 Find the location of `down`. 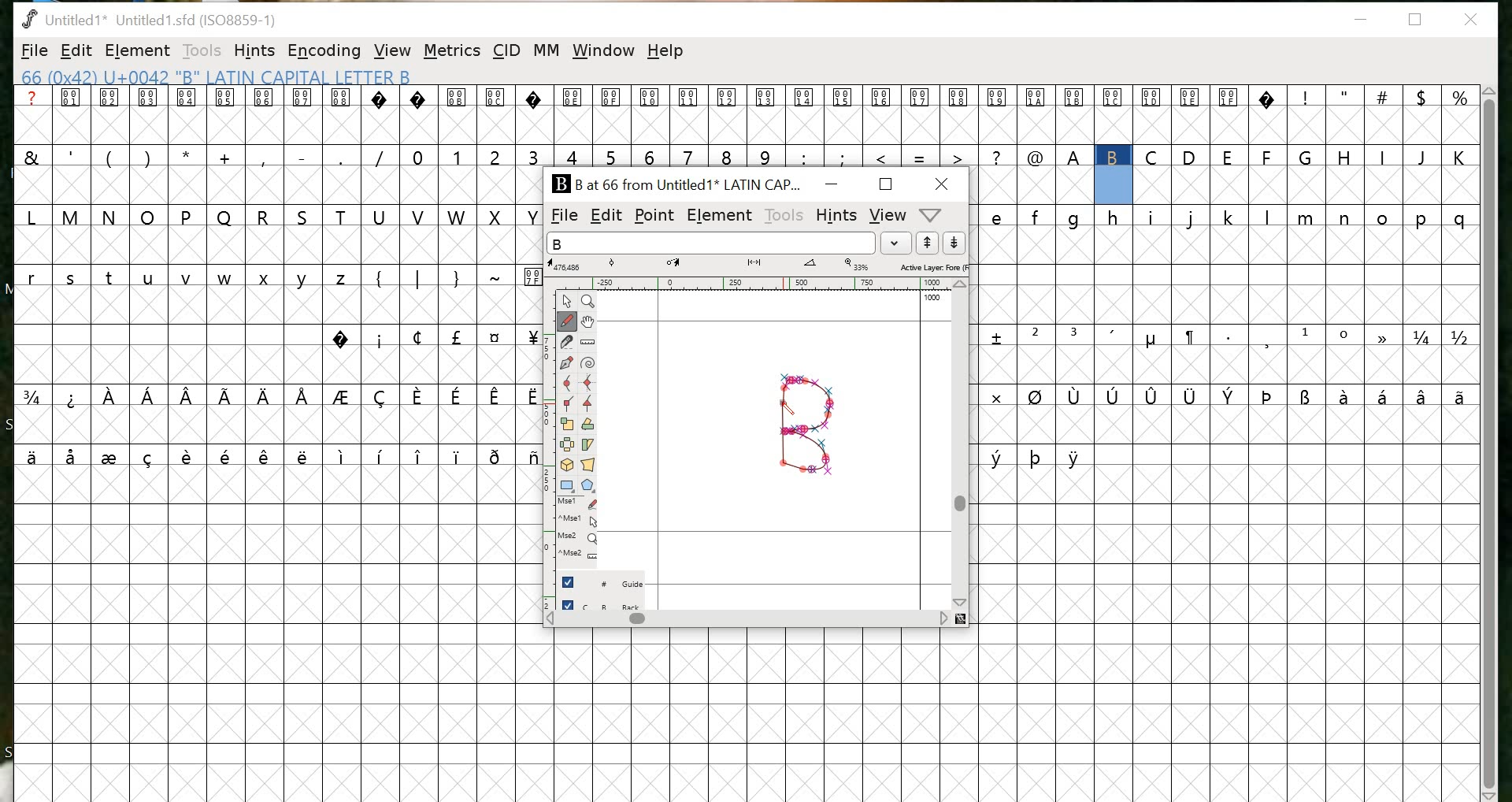

down is located at coordinates (957, 243).